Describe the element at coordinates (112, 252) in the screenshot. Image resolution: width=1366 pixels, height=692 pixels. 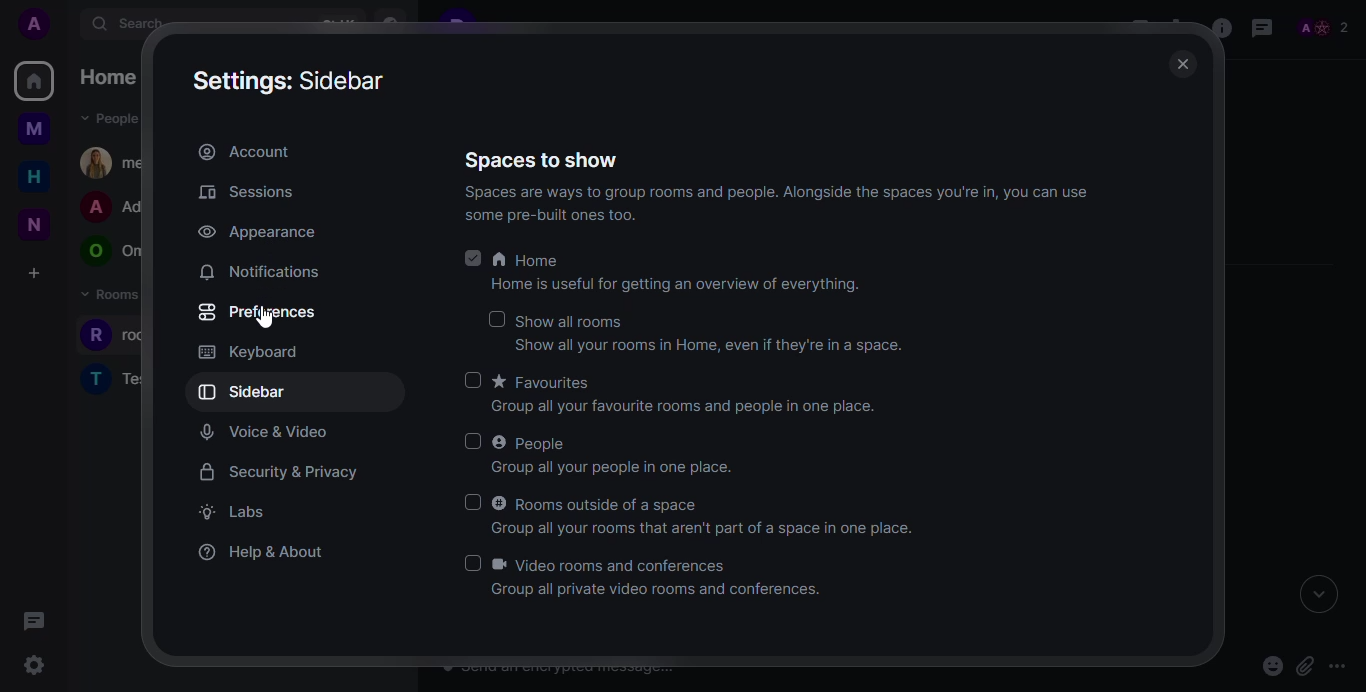
I see `people room` at that location.